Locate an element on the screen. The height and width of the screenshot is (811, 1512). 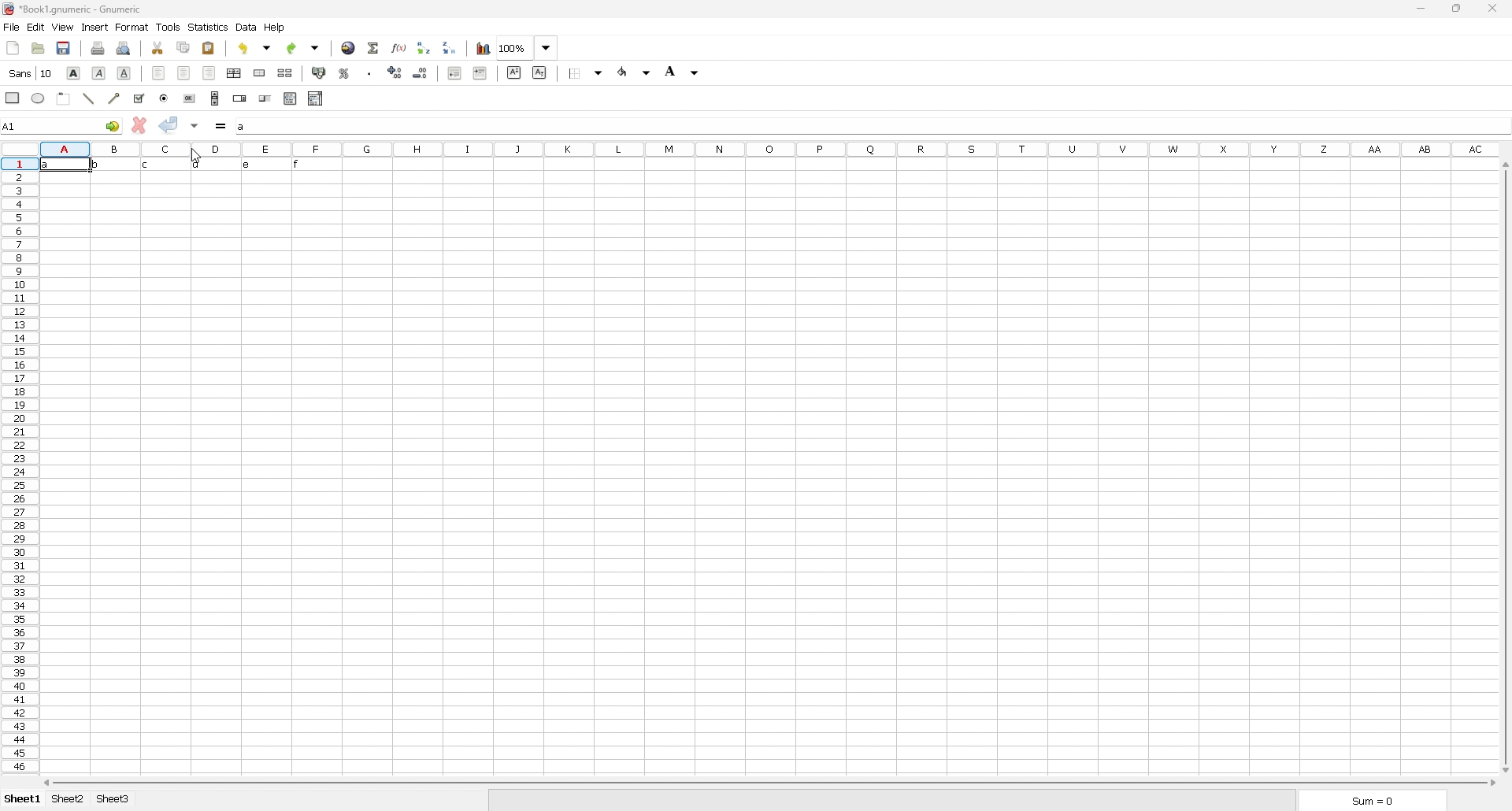
percentage is located at coordinates (344, 72).